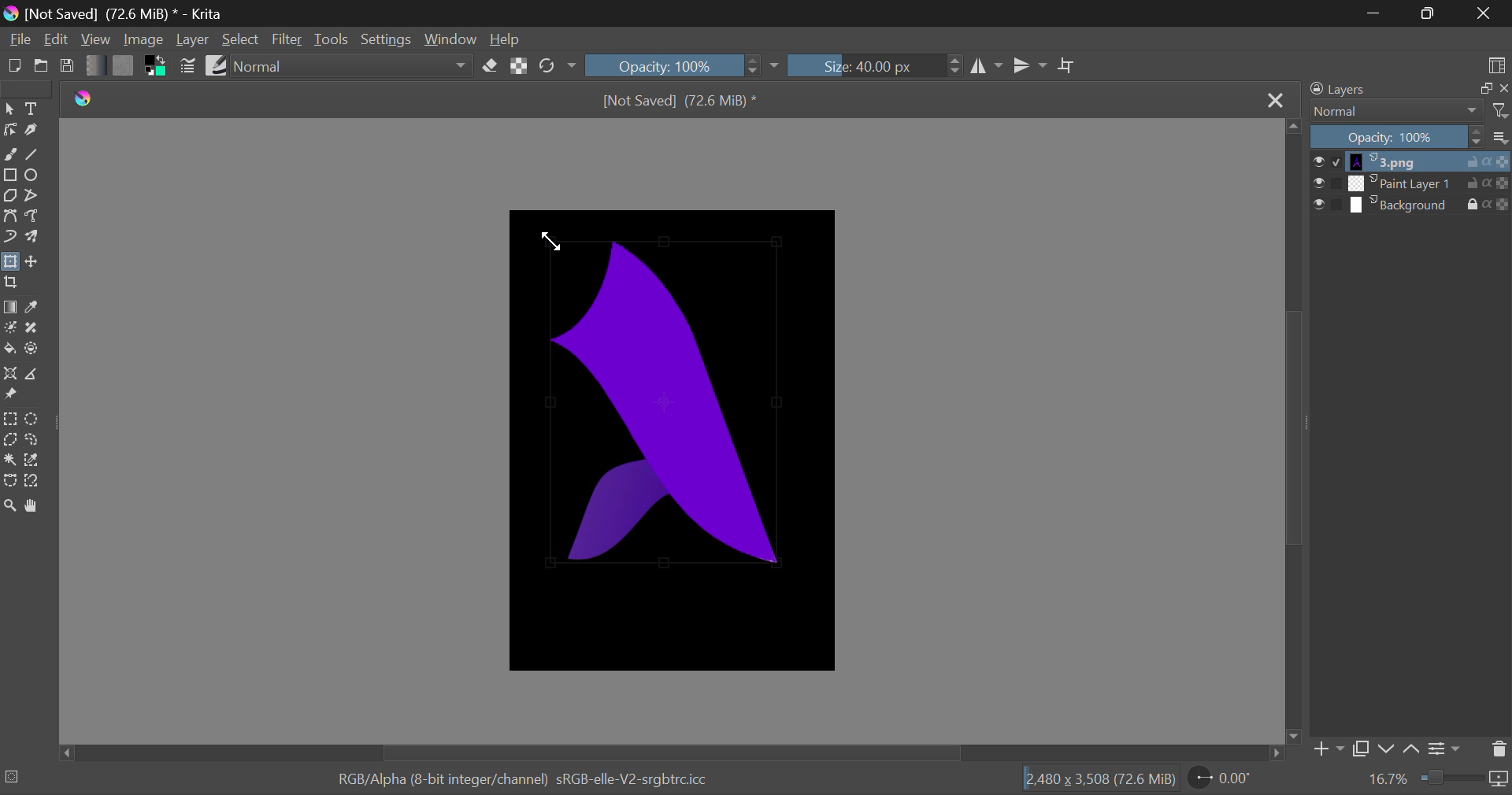  What do you see at coordinates (1488, 162) in the screenshot?
I see `actions` at bounding box center [1488, 162].